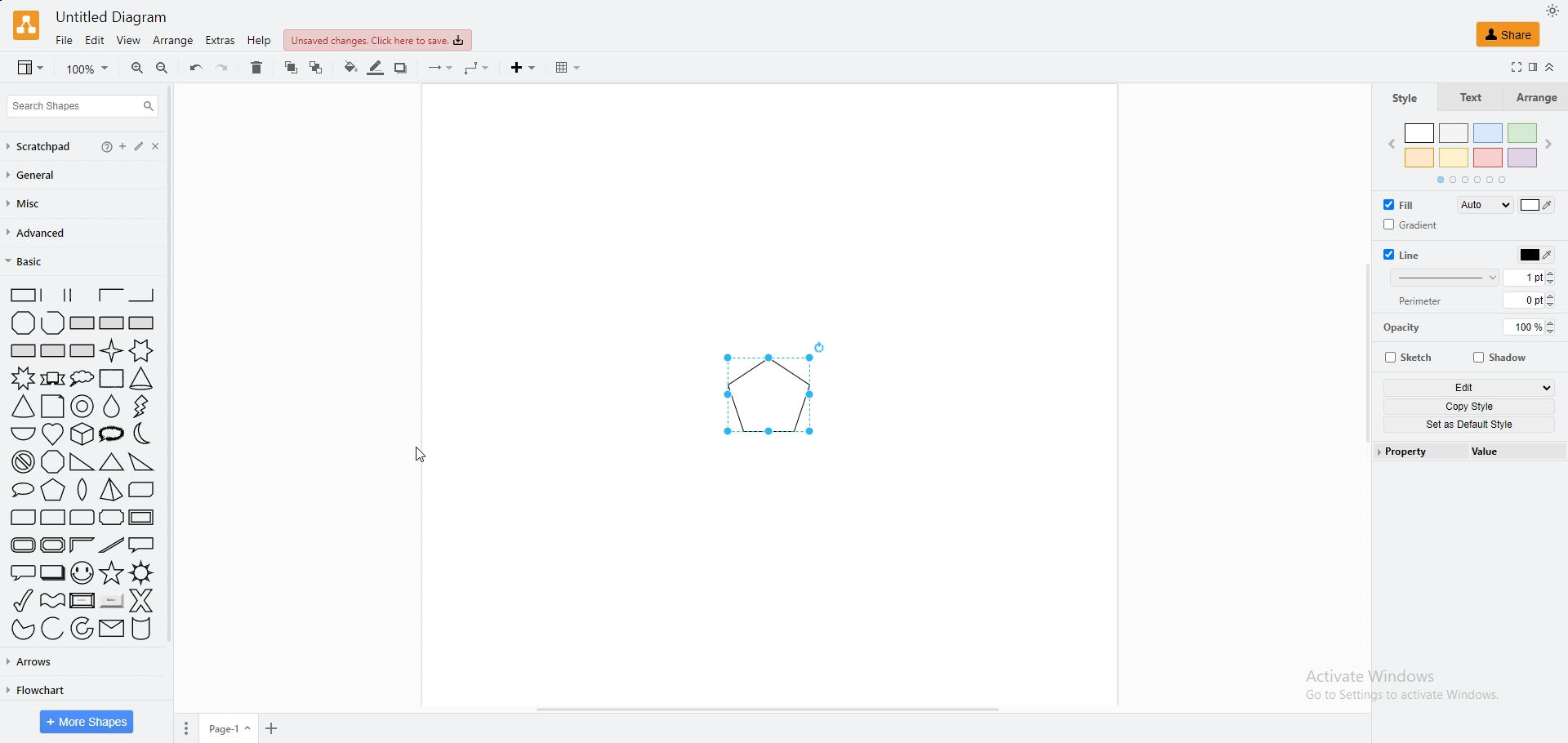 The width and height of the screenshot is (1568, 743). Describe the element at coordinates (19, 599) in the screenshot. I see `tick ` at that location.